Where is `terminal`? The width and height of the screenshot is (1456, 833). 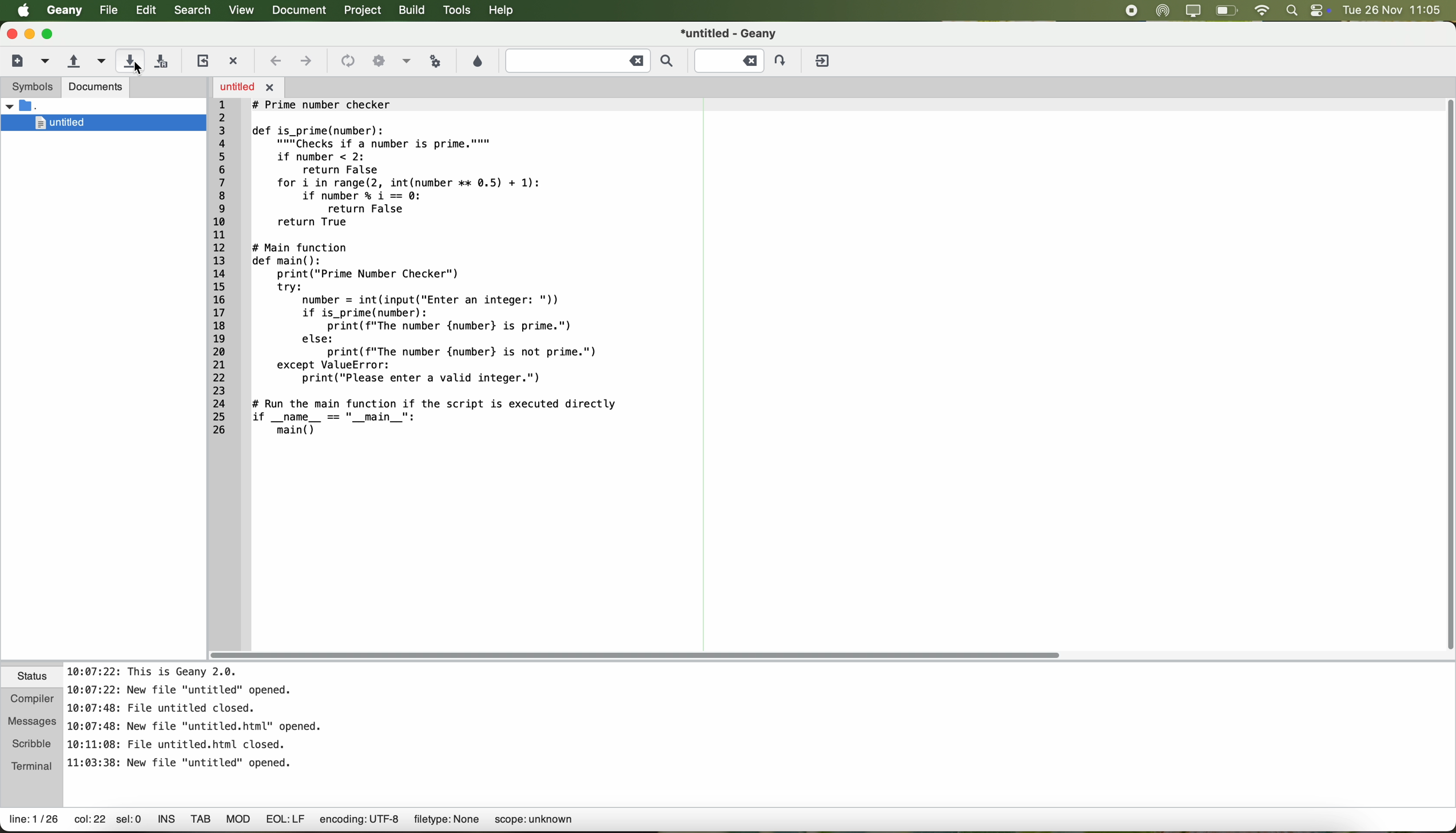 terminal is located at coordinates (33, 766).